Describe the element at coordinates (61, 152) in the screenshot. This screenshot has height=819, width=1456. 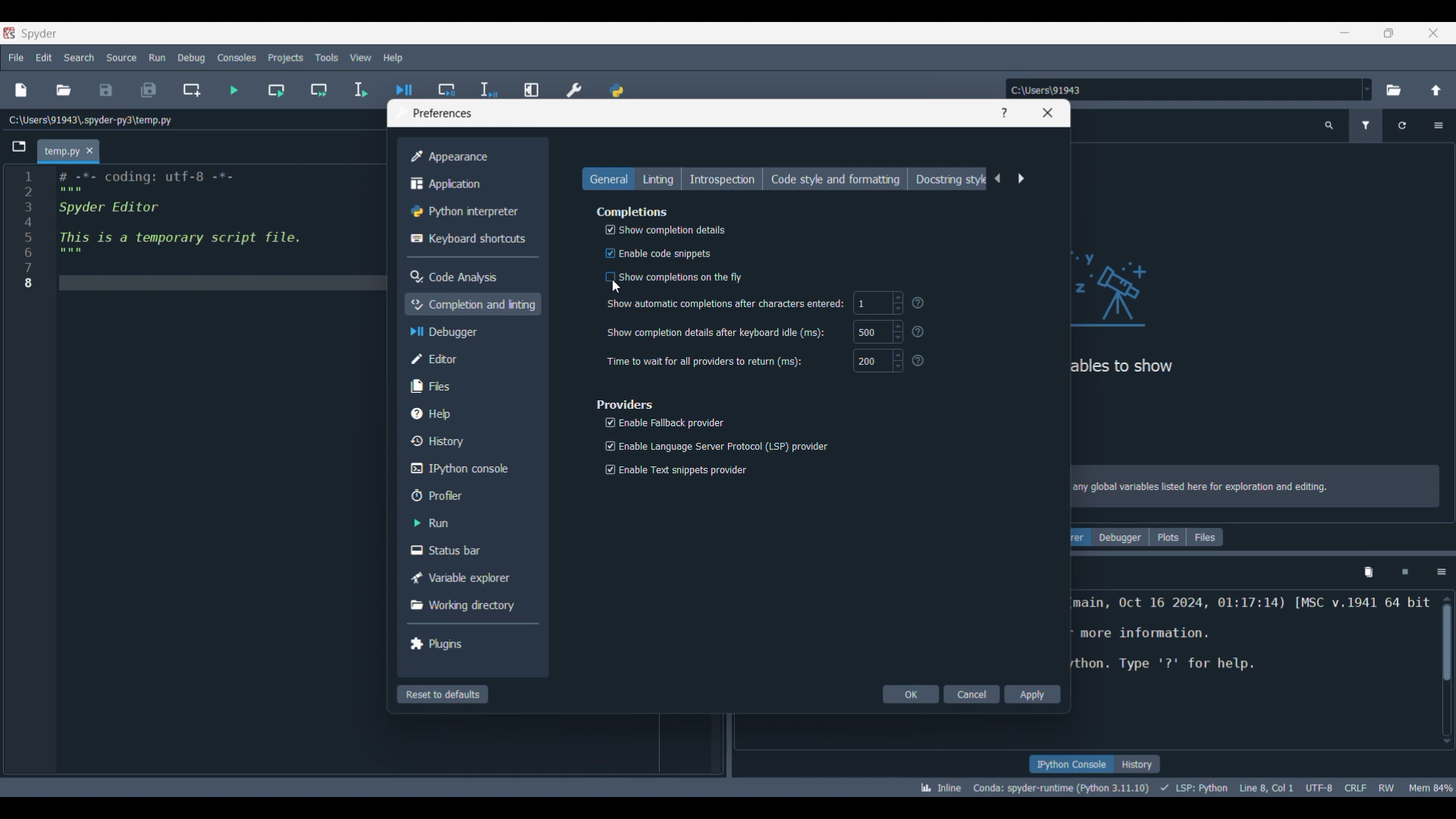
I see `Current tab` at that location.